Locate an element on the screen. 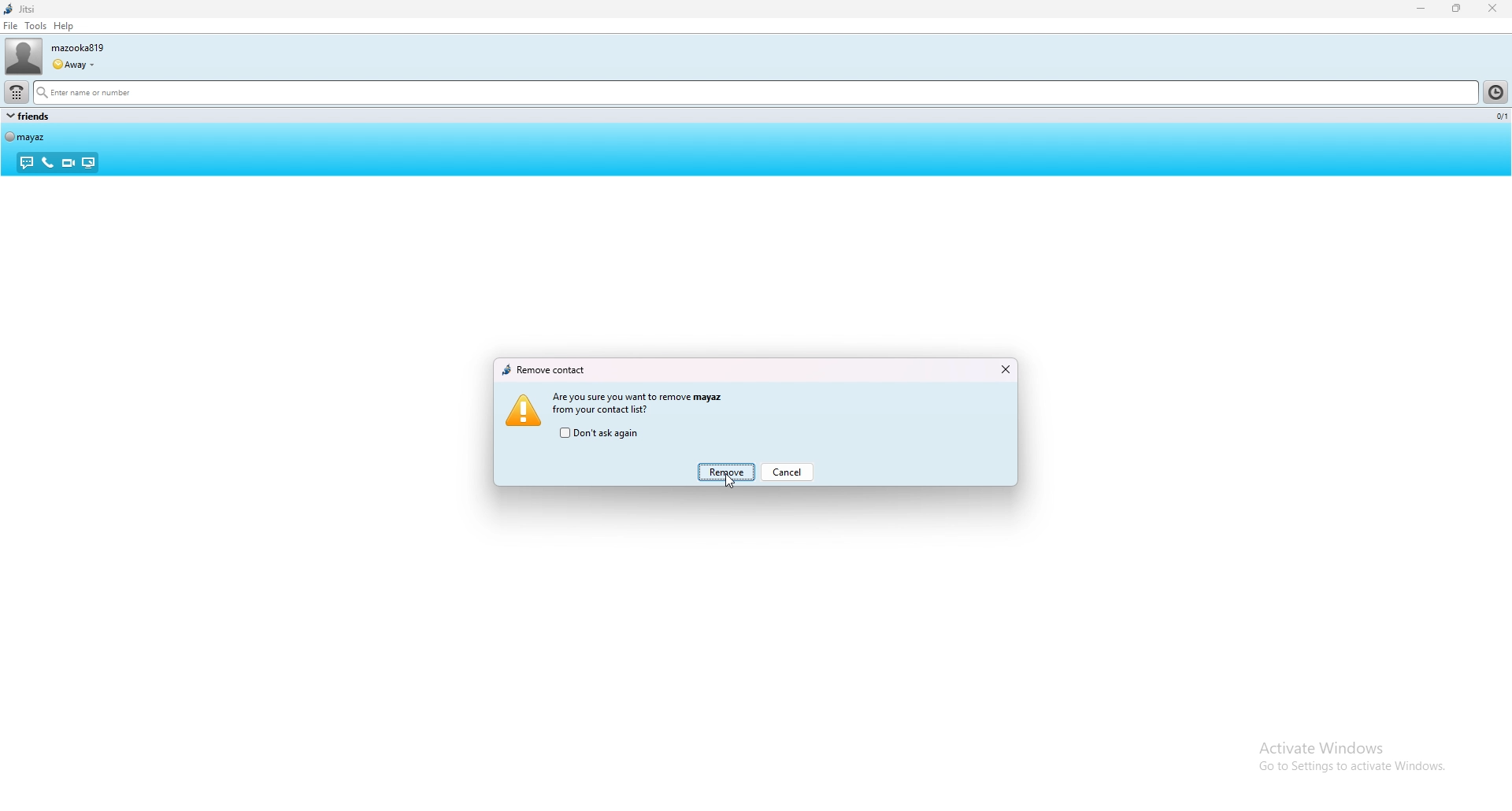  do not ask again is located at coordinates (601, 432).